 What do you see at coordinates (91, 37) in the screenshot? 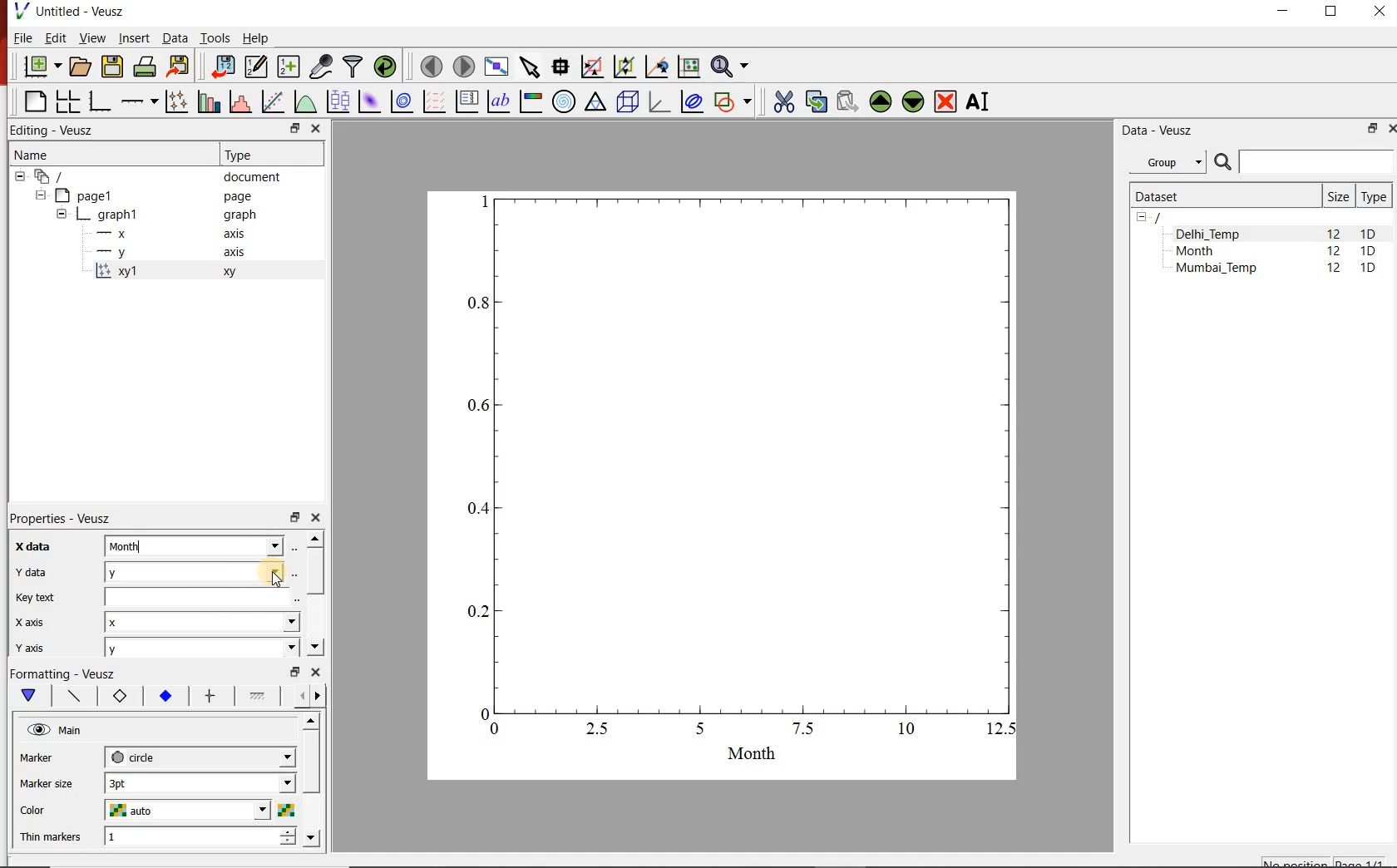
I see `View` at bounding box center [91, 37].